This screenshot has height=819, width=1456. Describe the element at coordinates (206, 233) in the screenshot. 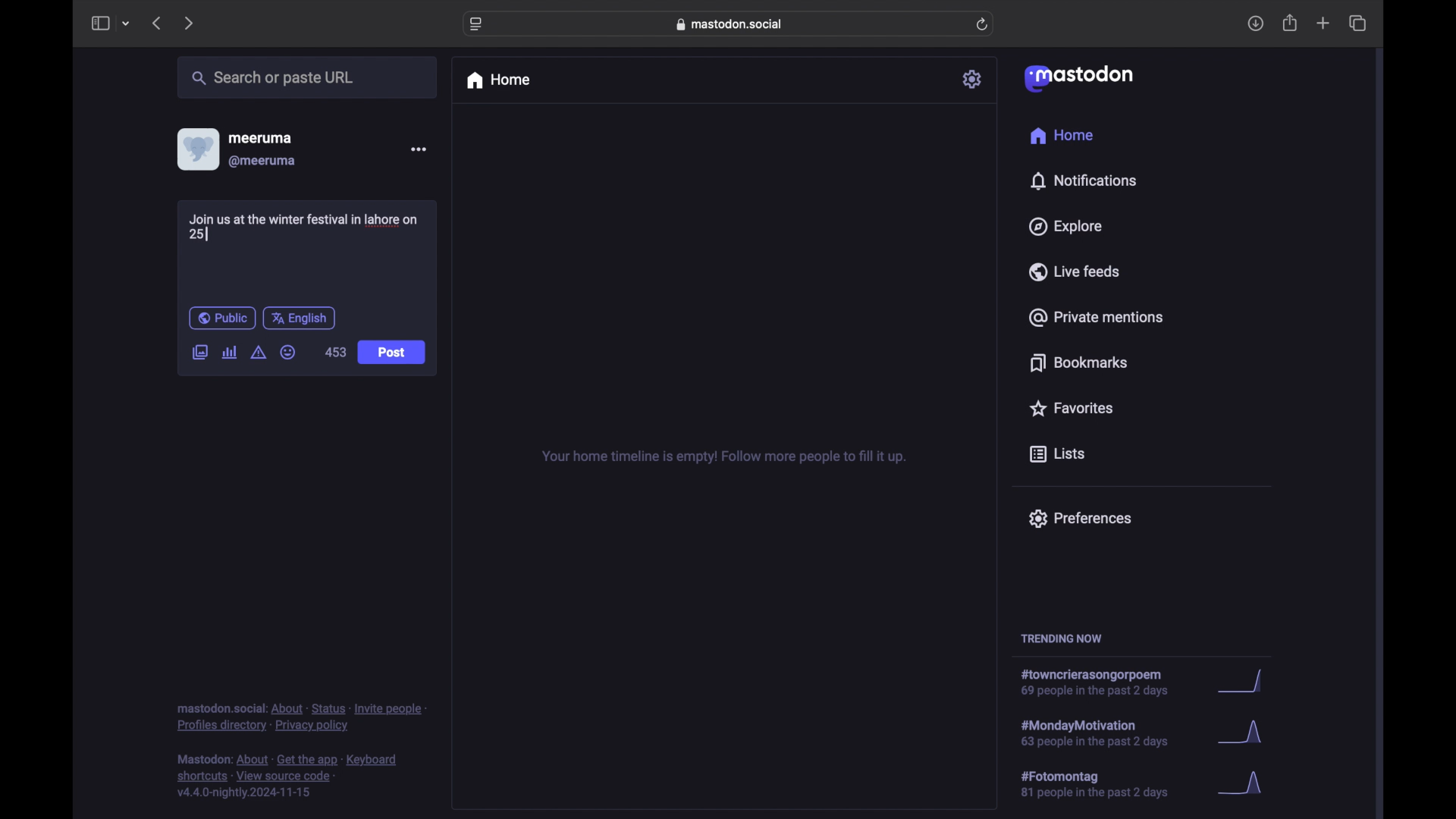

I see `text cursor` at that location.